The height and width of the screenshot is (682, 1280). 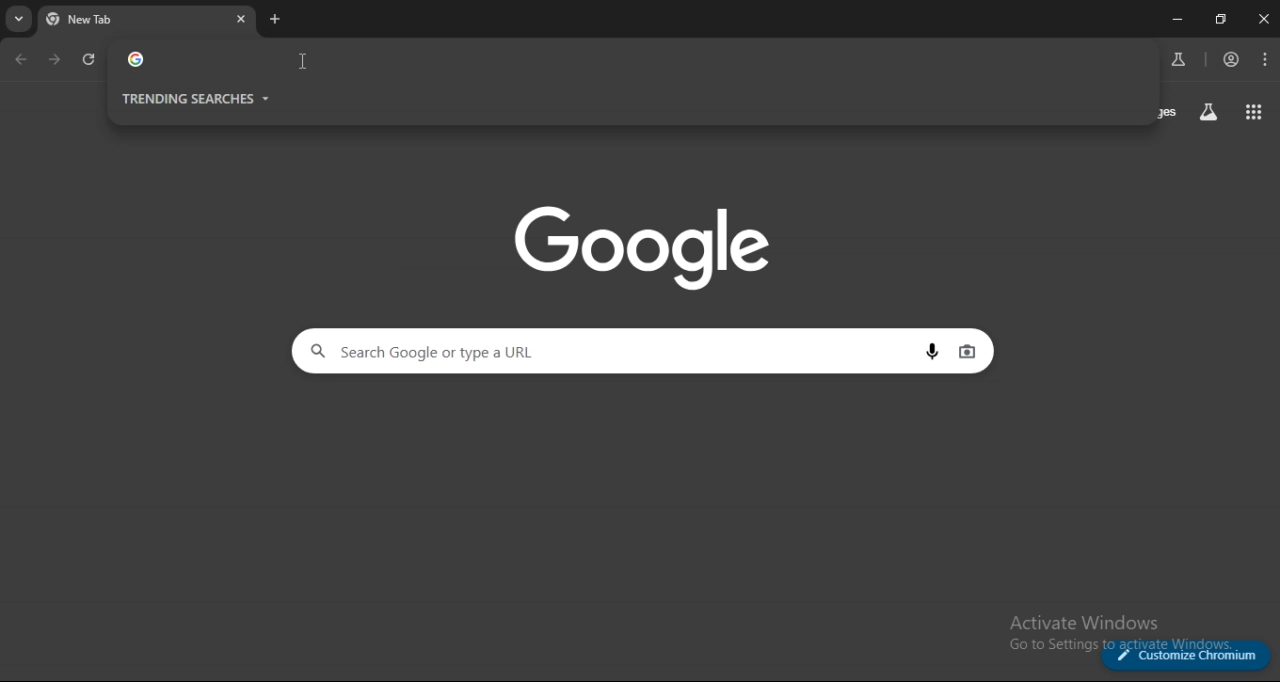 I want to click on customize chromium, so click(x=1187, y=655).